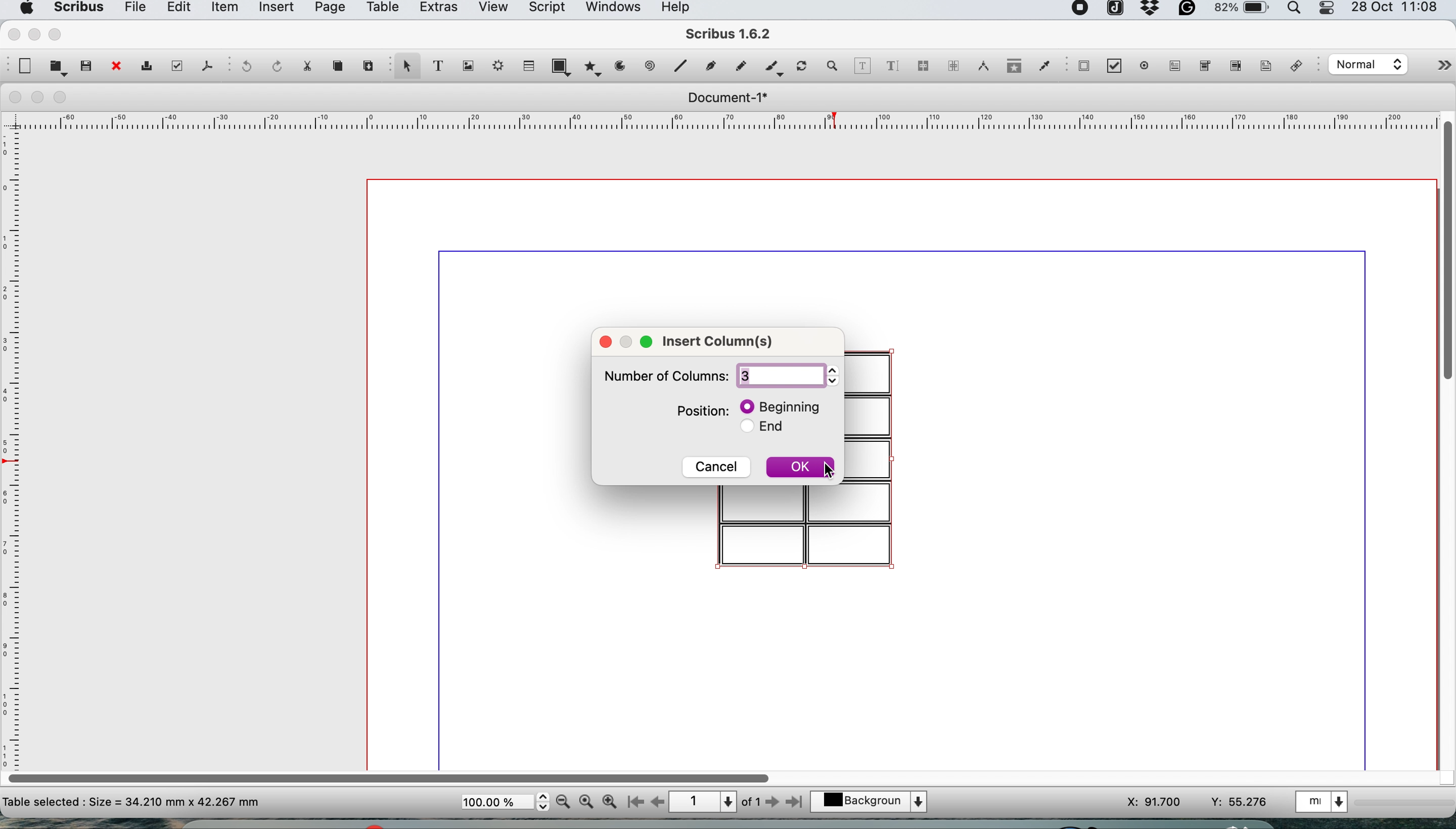  What do you see at coordinates (64, 98) in the screenshot?
I see `maximise` at bounding box center [64, 98].